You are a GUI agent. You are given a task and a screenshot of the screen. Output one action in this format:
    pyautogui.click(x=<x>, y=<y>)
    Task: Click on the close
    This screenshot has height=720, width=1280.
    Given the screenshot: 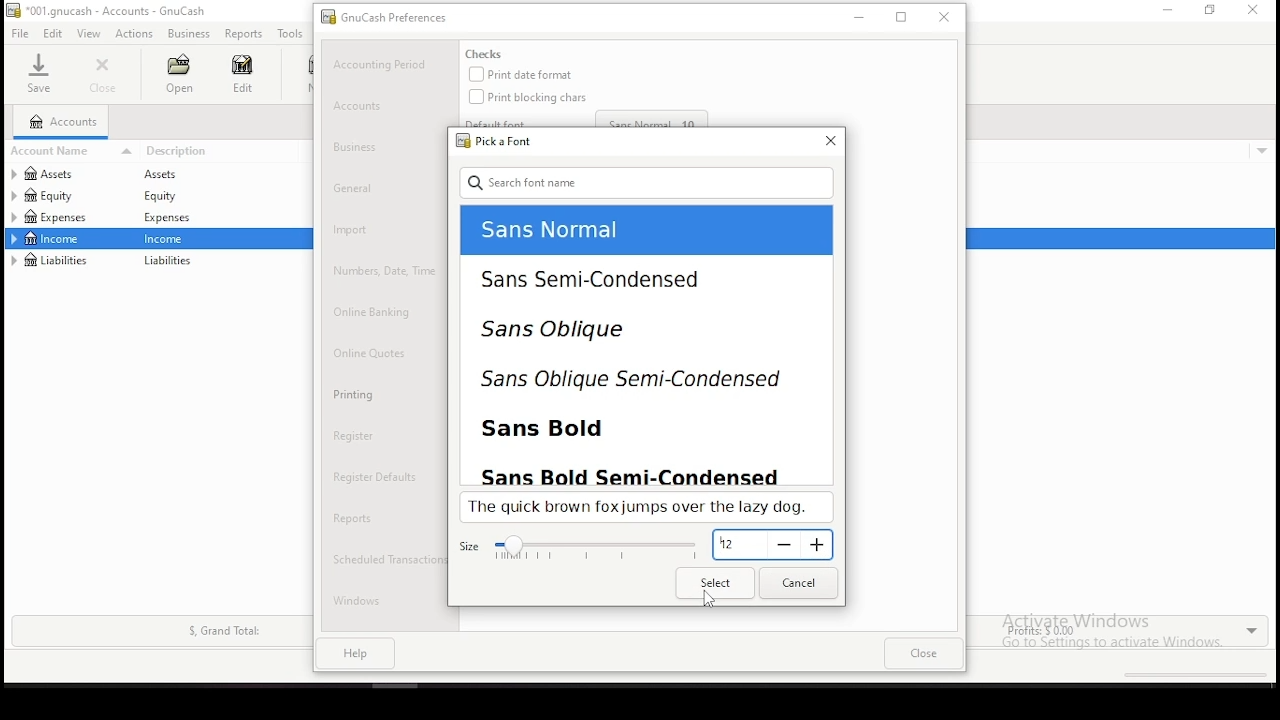 What is the action you would take?
    pyautogui.click(x=105, y=75)
    